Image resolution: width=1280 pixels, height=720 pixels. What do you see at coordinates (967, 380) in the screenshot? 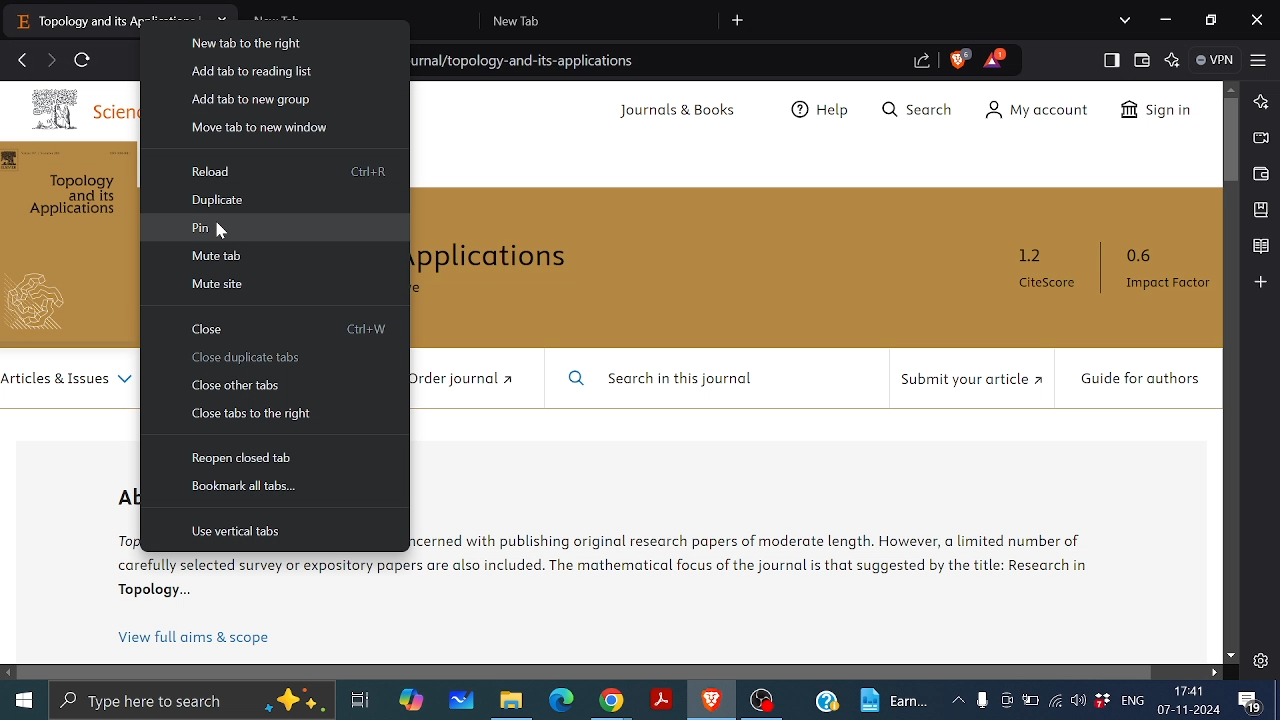
I see `Submit your article ` at bounding box center [967, 380].